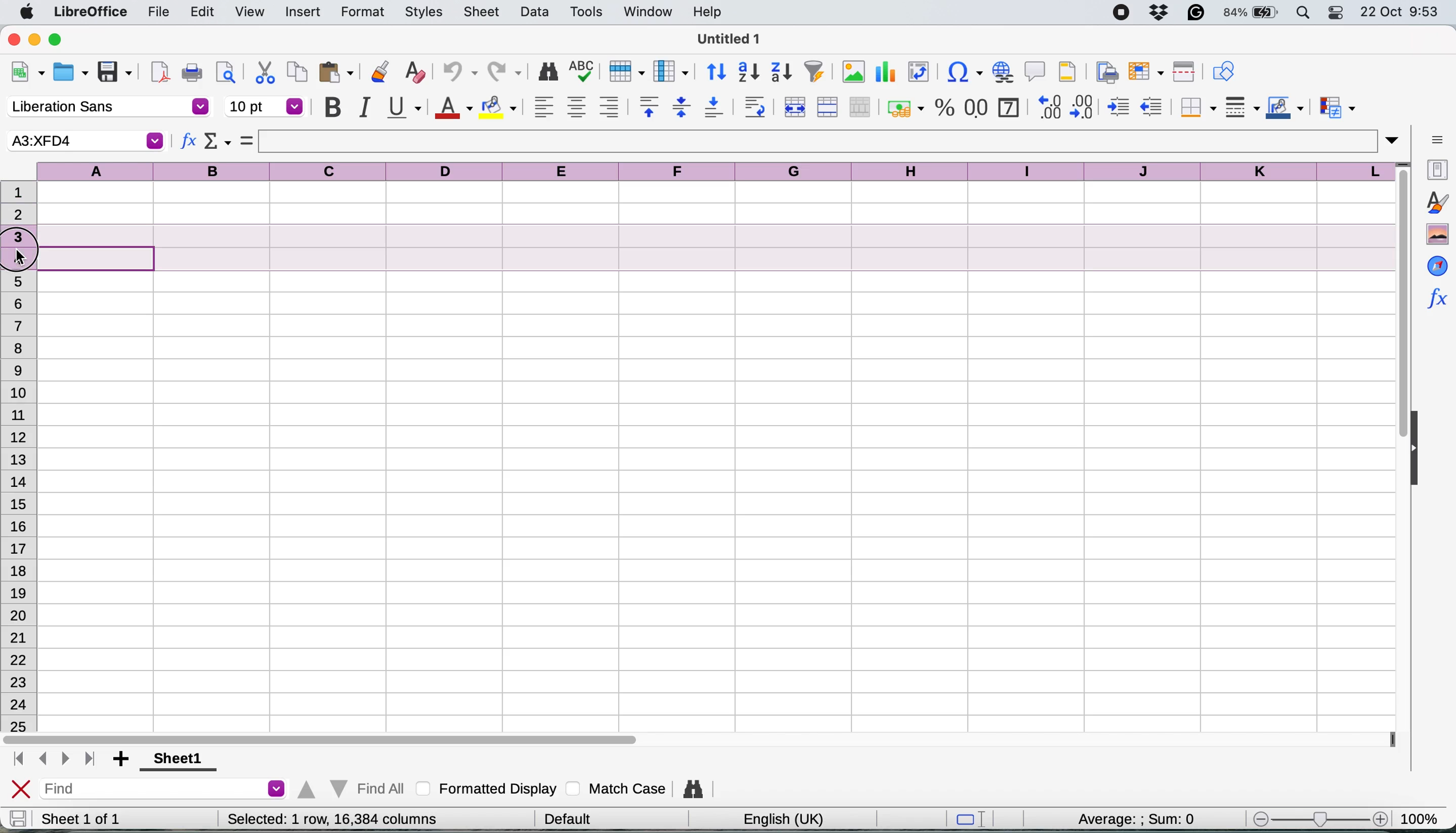 Image resolution: width=1456 pixels, height=833 pixels. I want to click on align top, so click(649, 106).